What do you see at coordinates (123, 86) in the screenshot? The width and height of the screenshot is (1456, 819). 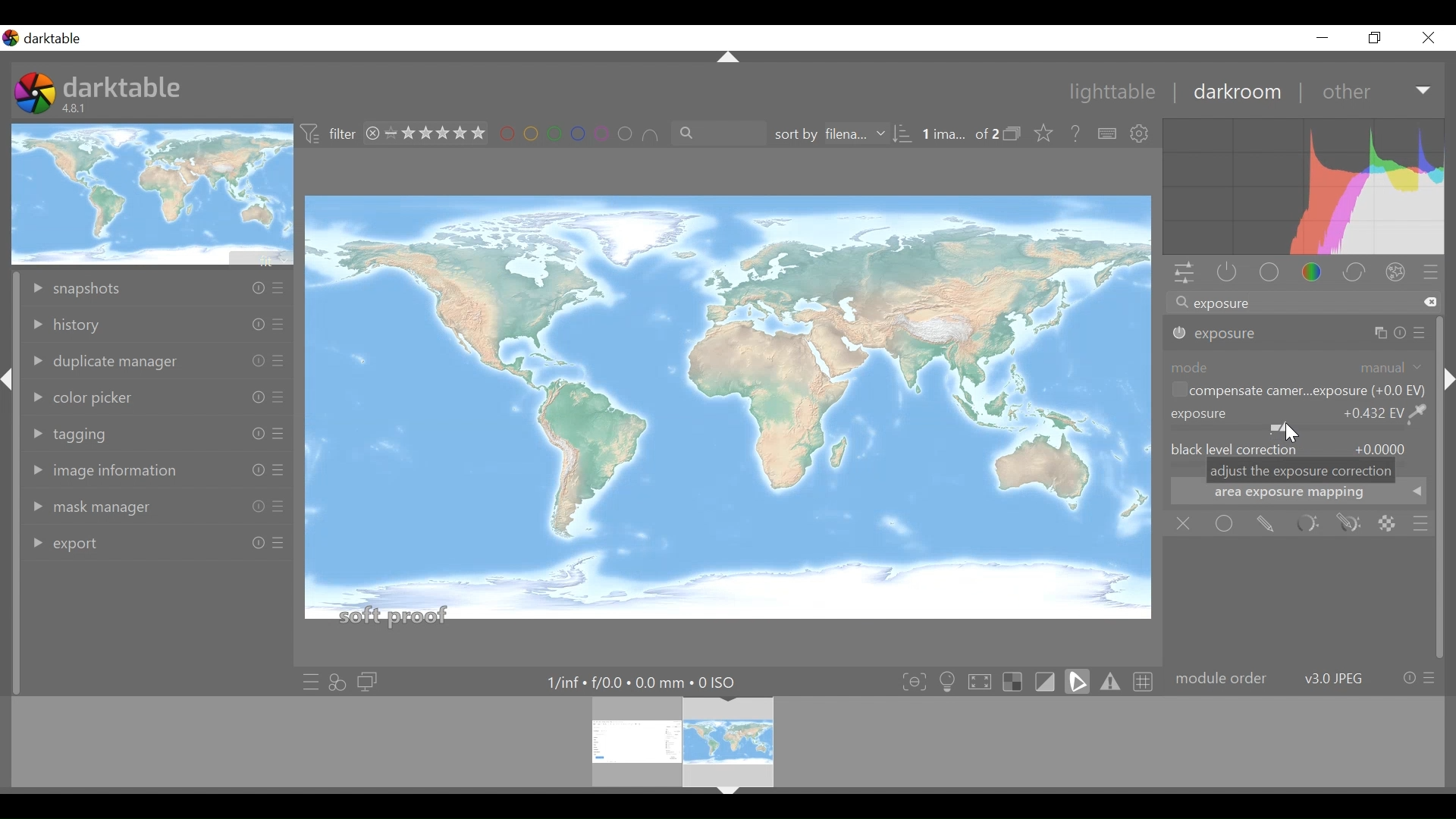 I see `darktable` at bounding box center [123, 86].